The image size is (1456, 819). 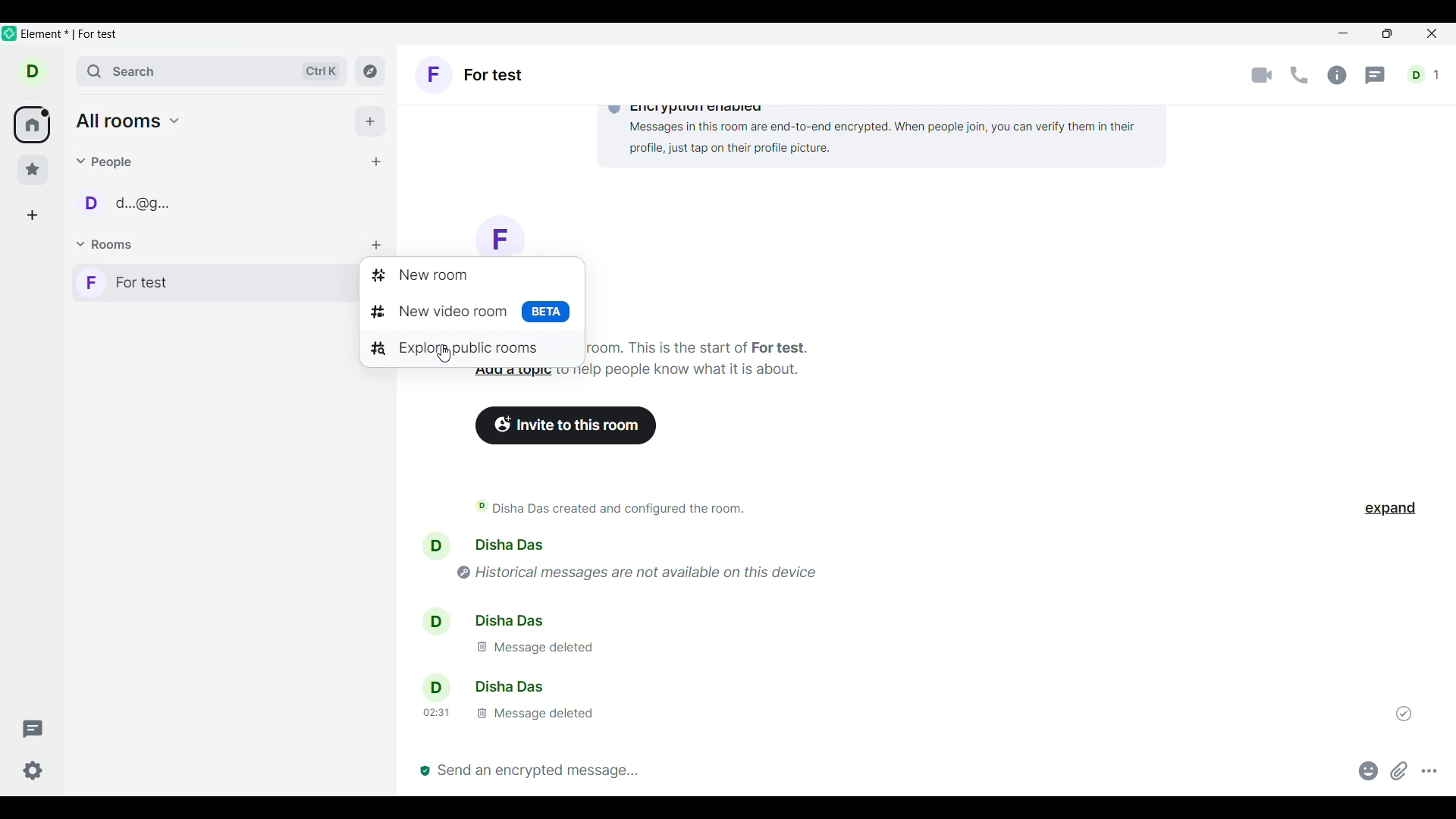 I want to click on Expand, so click(x=1391, y=509).